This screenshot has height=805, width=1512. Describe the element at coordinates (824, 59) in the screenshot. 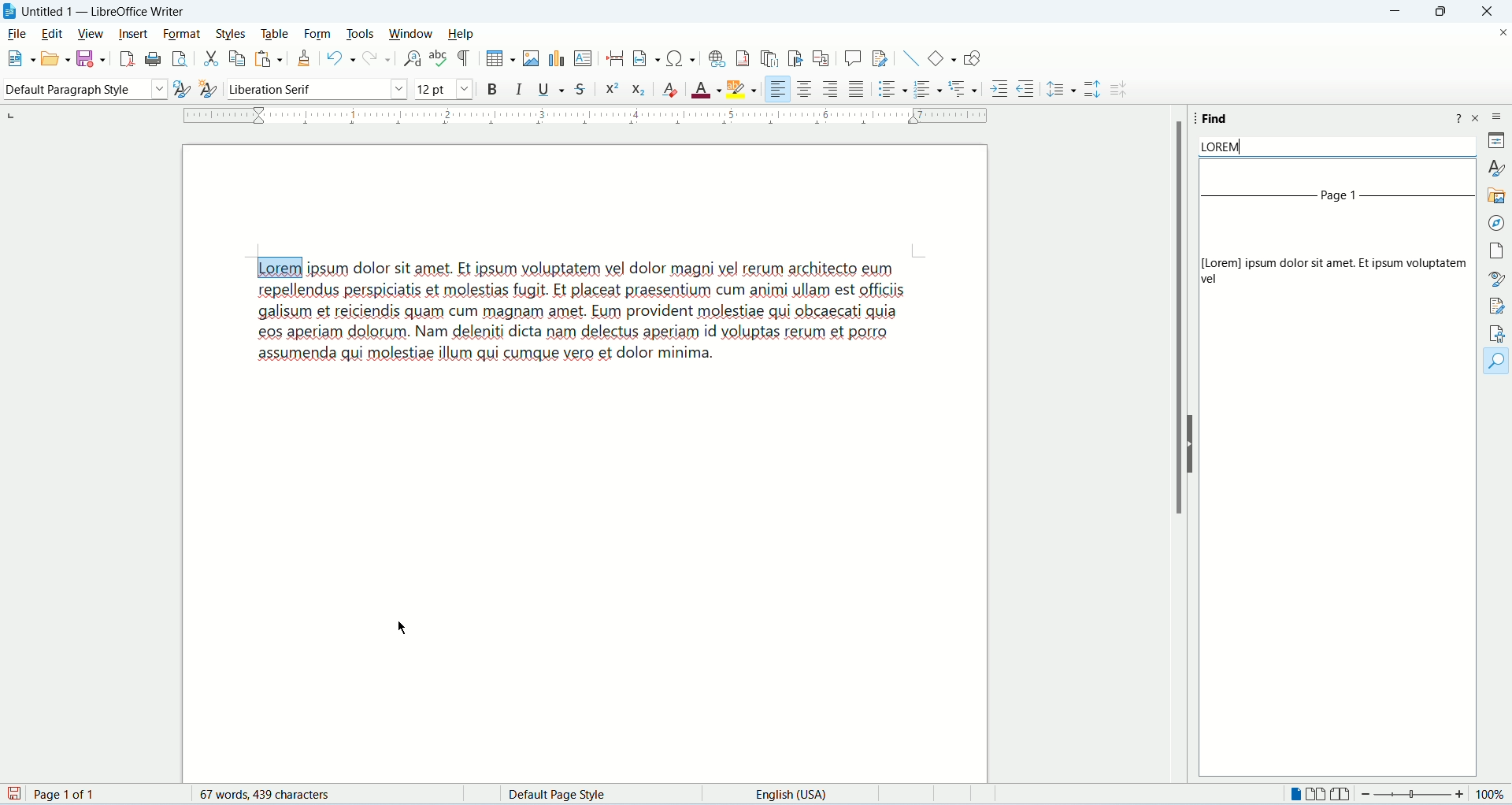

I see `insert cross-referencing` at that location.